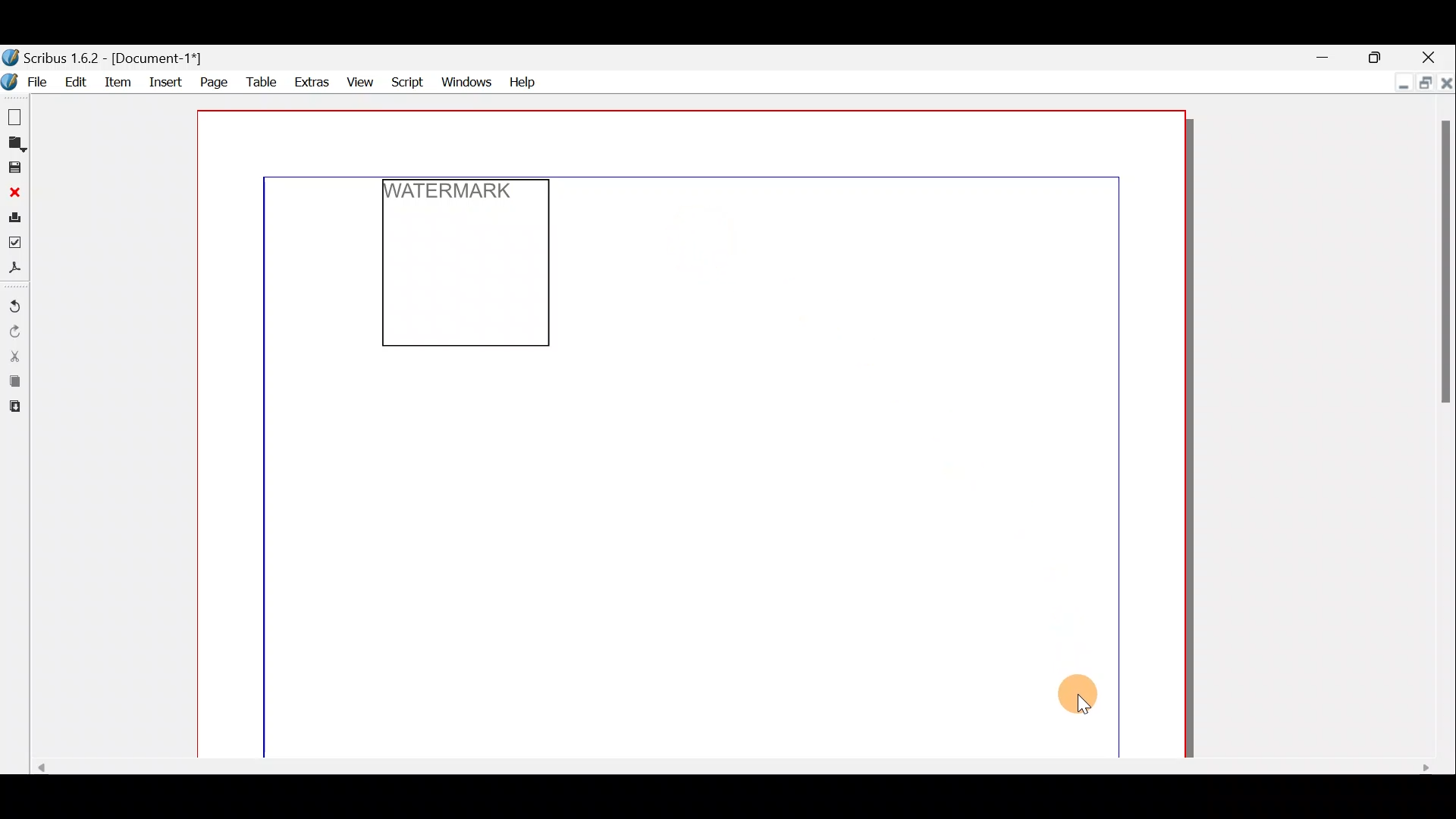 The image size is (1456, 819). What do you see at coordinates (14, 270) in the screenshot?
I see `Save as PDF` at bounding box center [14, 270].